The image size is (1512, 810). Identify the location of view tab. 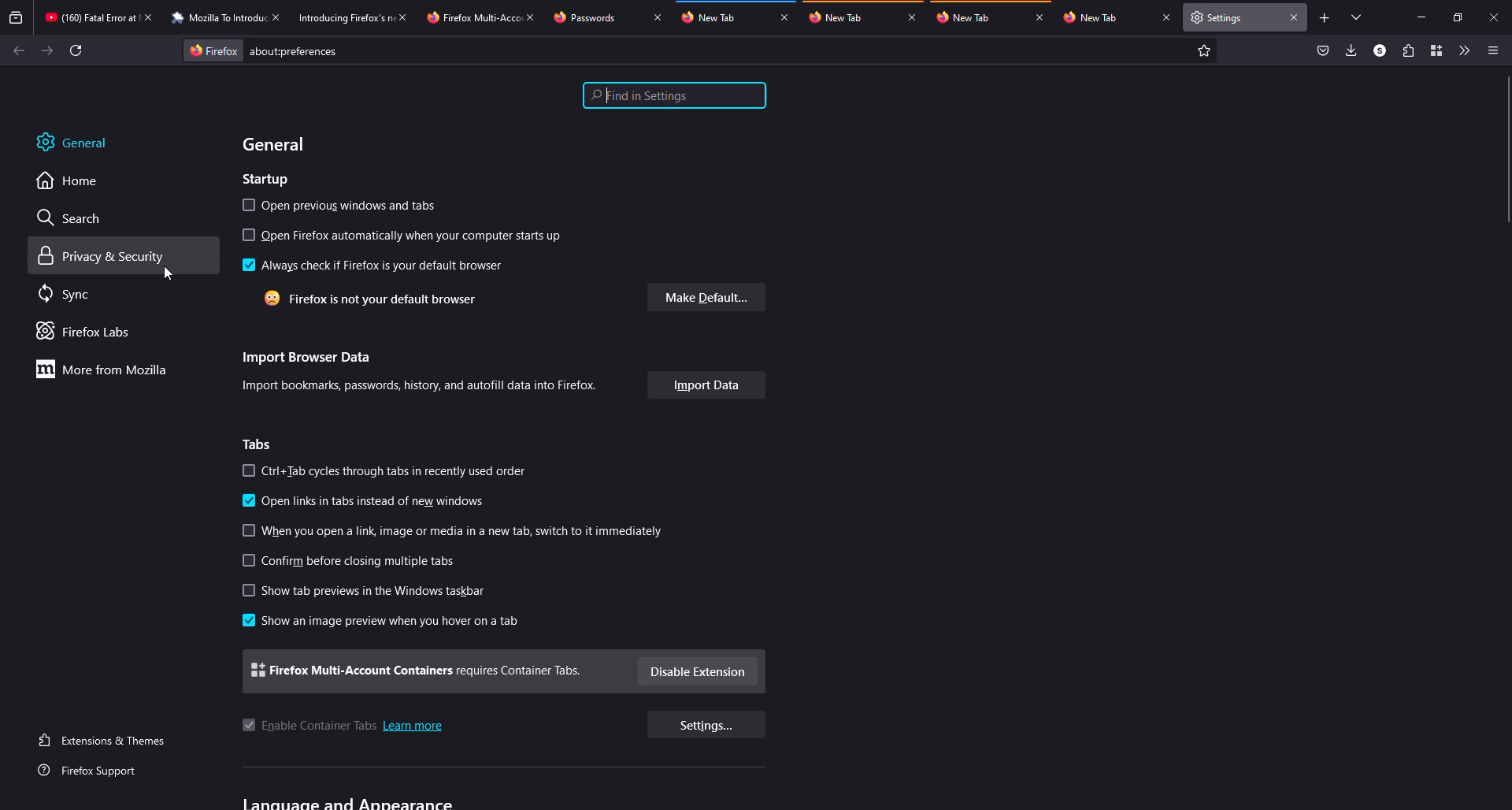
(1358, 17).